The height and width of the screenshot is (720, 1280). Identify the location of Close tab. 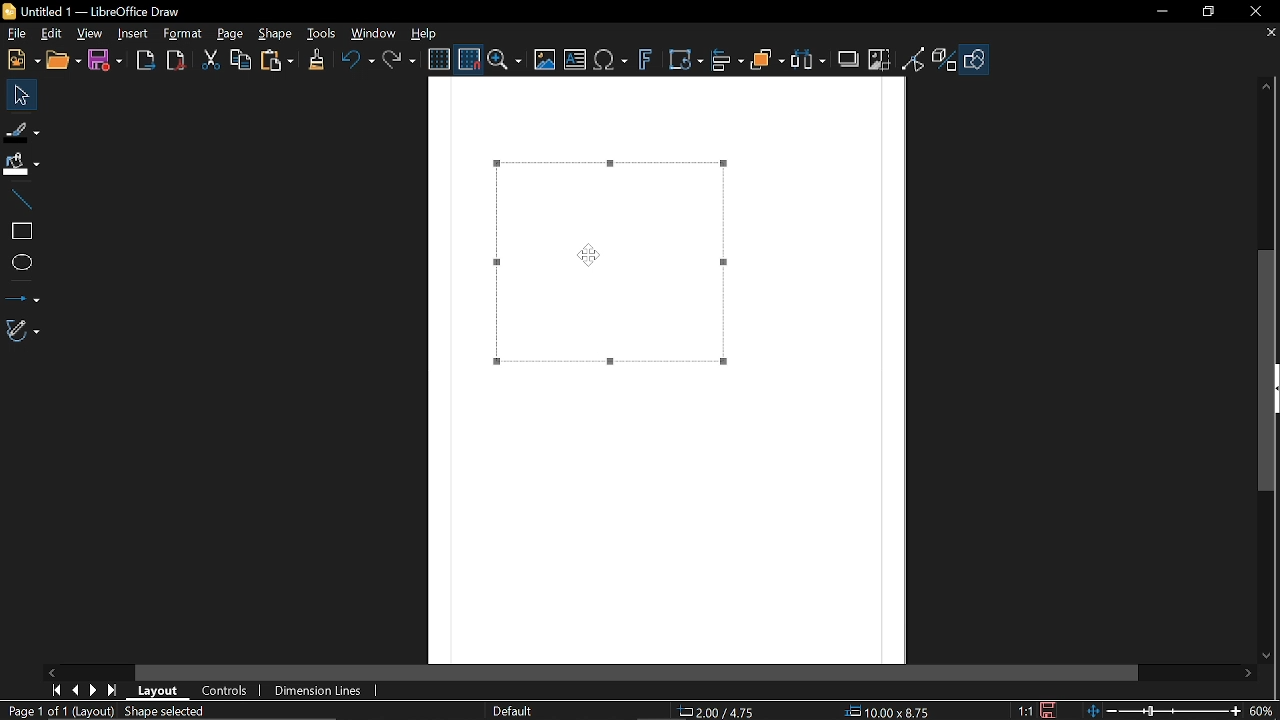
(1270, 32).